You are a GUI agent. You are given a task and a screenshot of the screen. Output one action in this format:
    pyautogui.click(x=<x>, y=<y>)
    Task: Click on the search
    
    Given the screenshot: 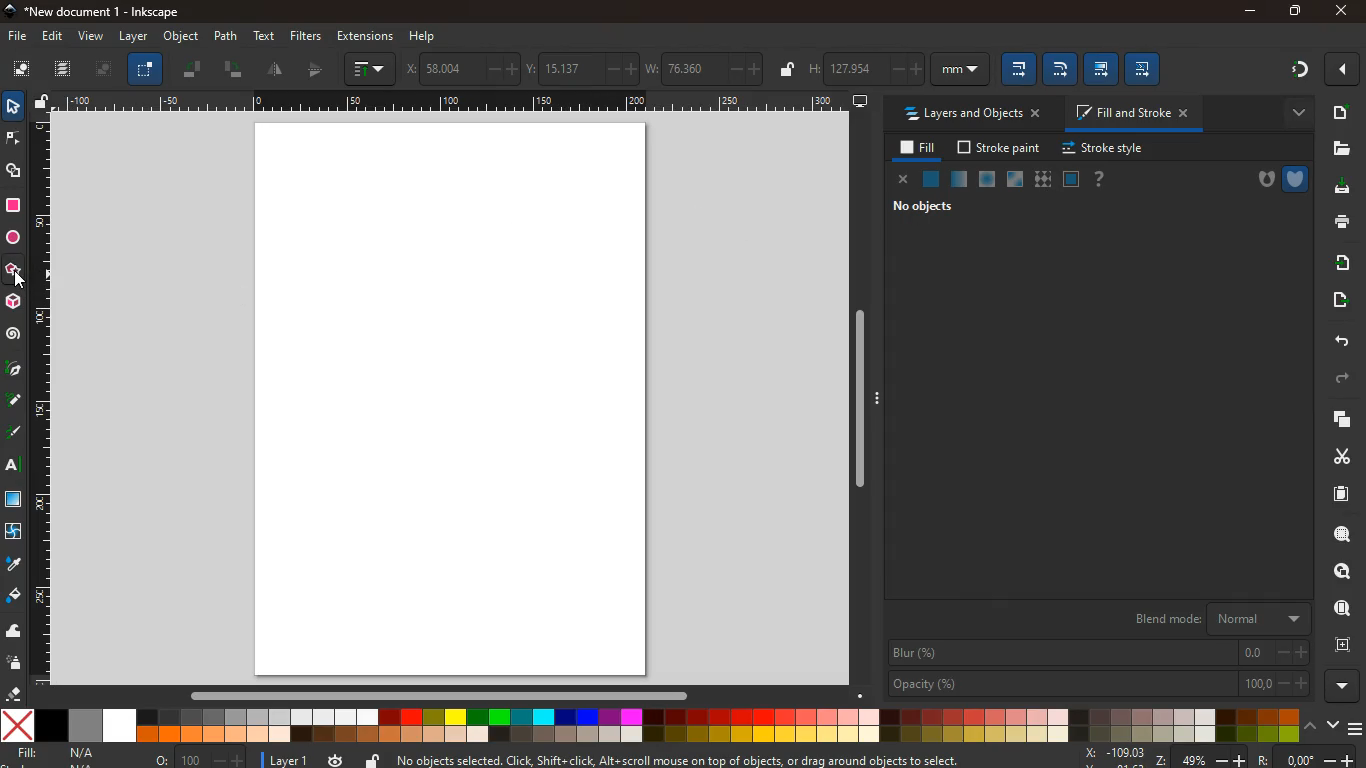 What is the action you would take?
    pyautogui.click(x=1338, y=572)
    